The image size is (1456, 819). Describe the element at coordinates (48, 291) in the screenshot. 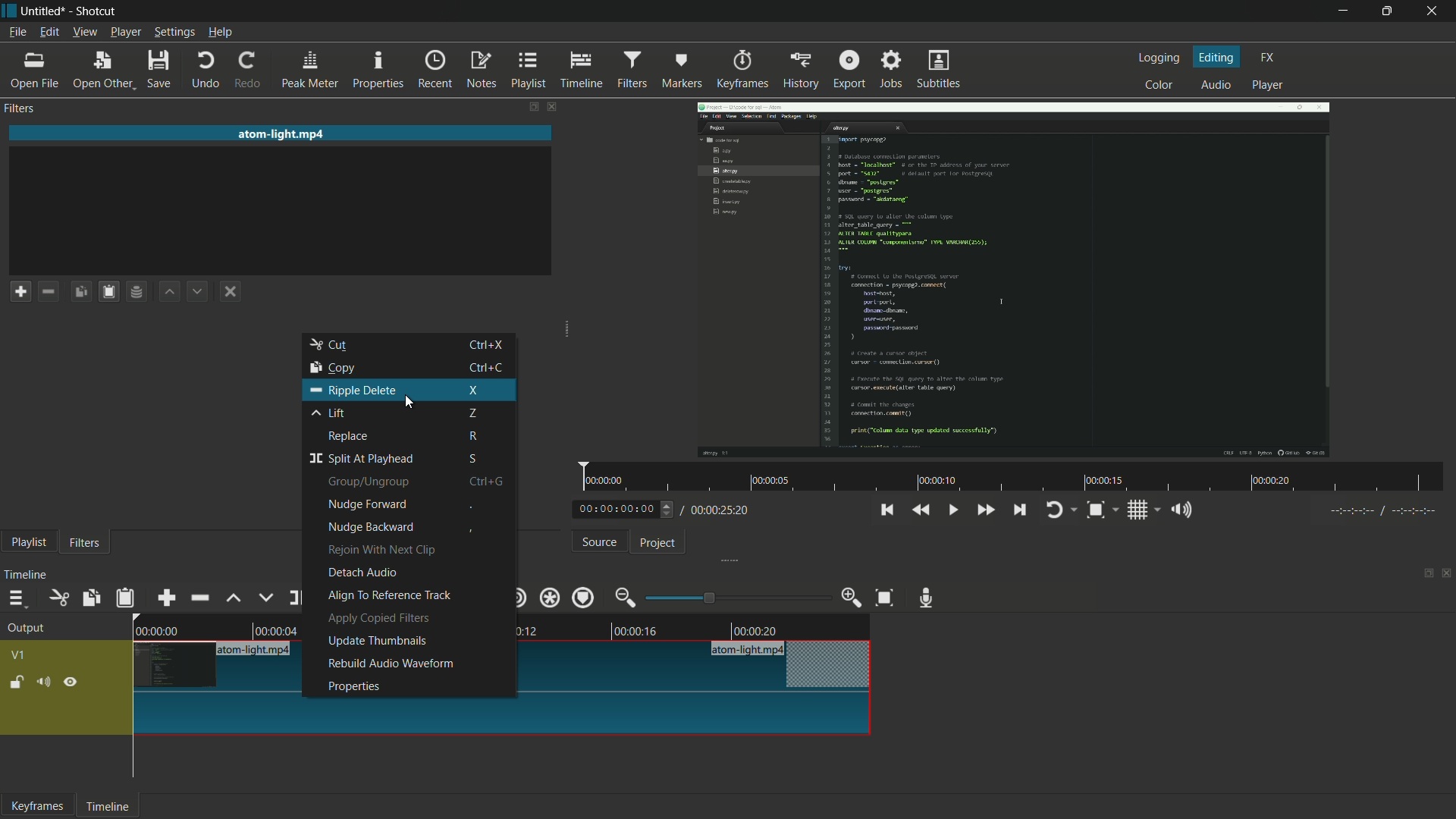

I see `remove filter` at that location.